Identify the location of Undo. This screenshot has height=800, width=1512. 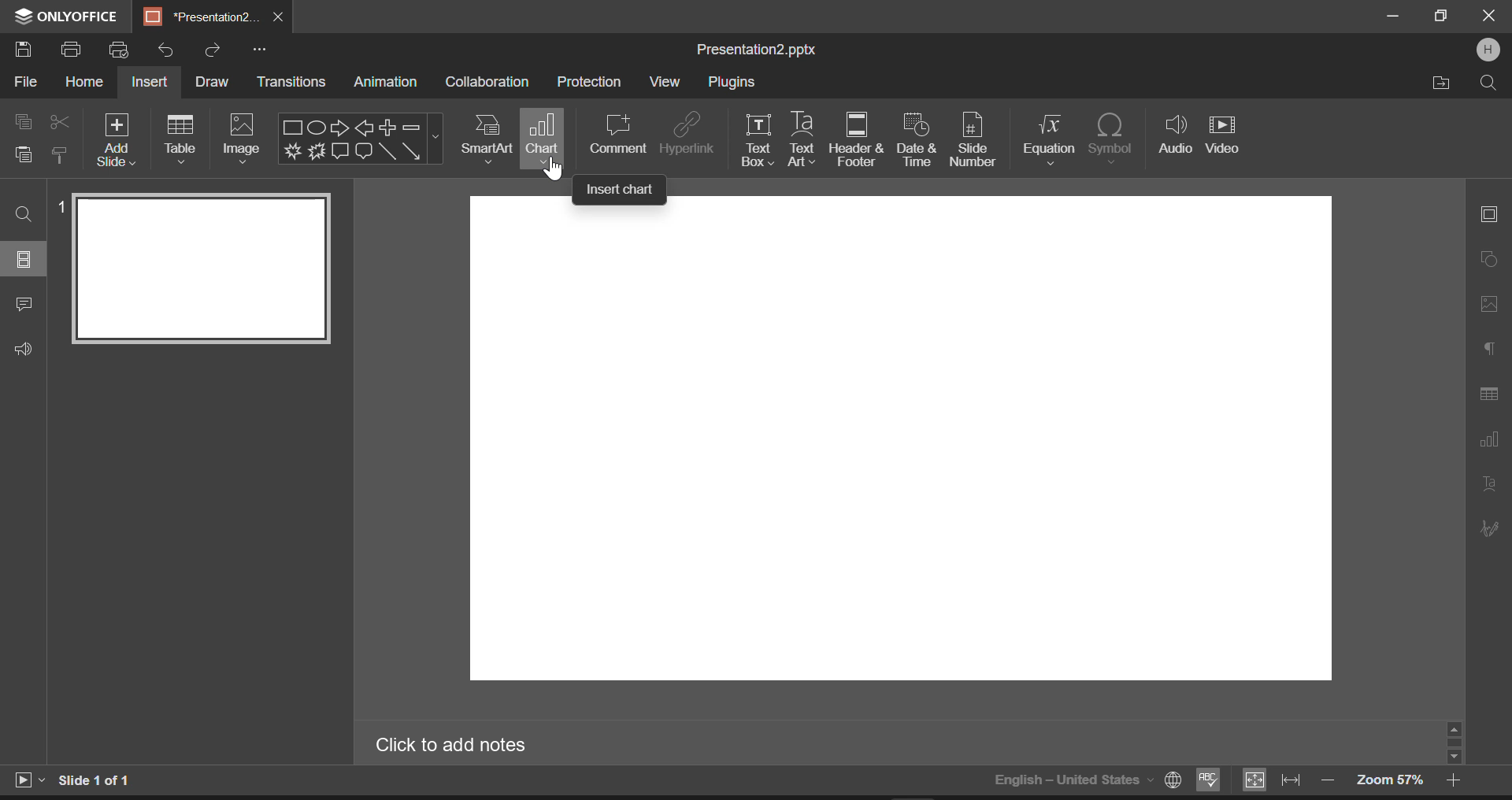
(166, 46).